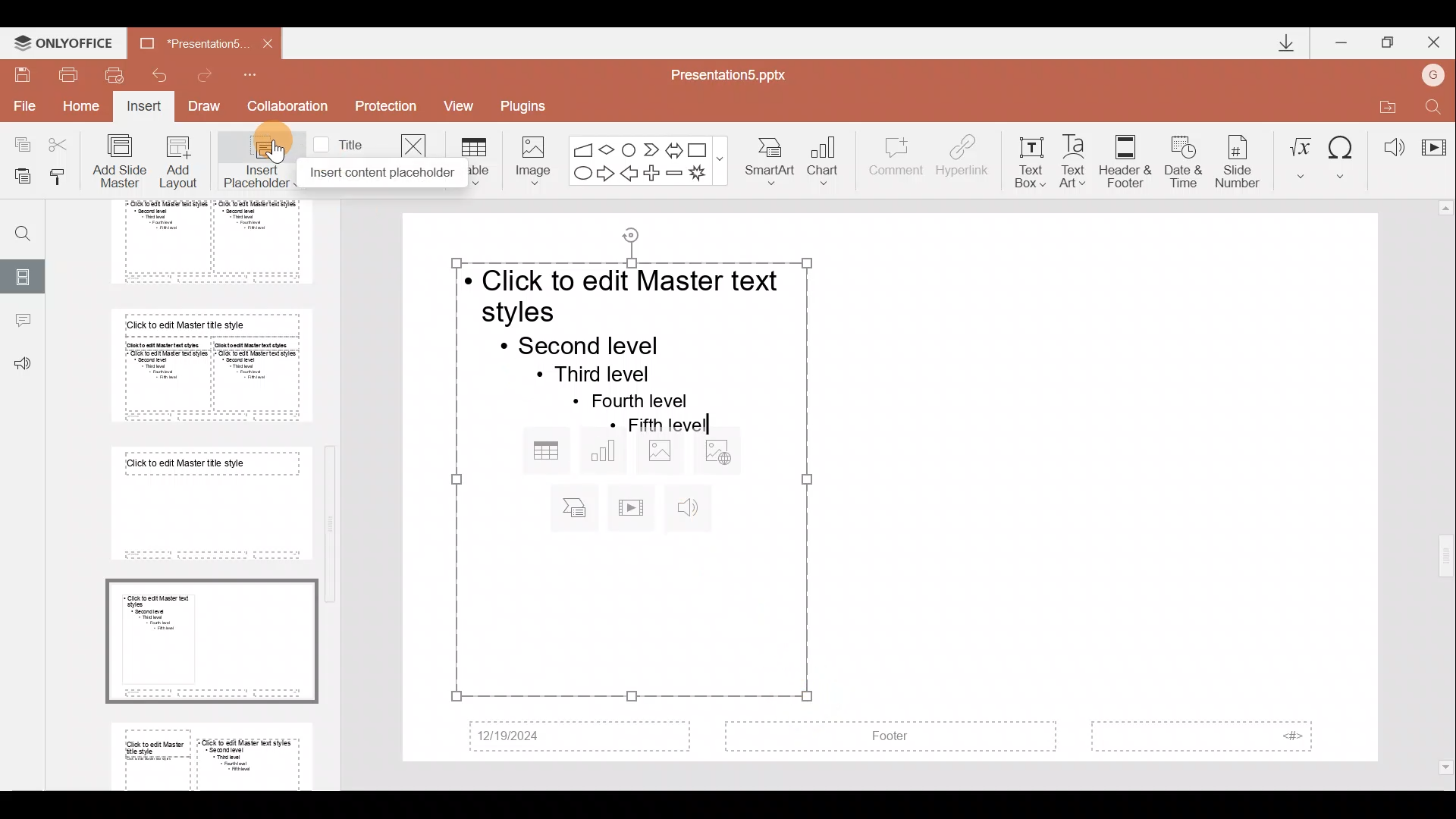 The image size is (1456, 819). Describe the element at coordinates (385, 108) in the screenshot. I see `Protection` at that location.